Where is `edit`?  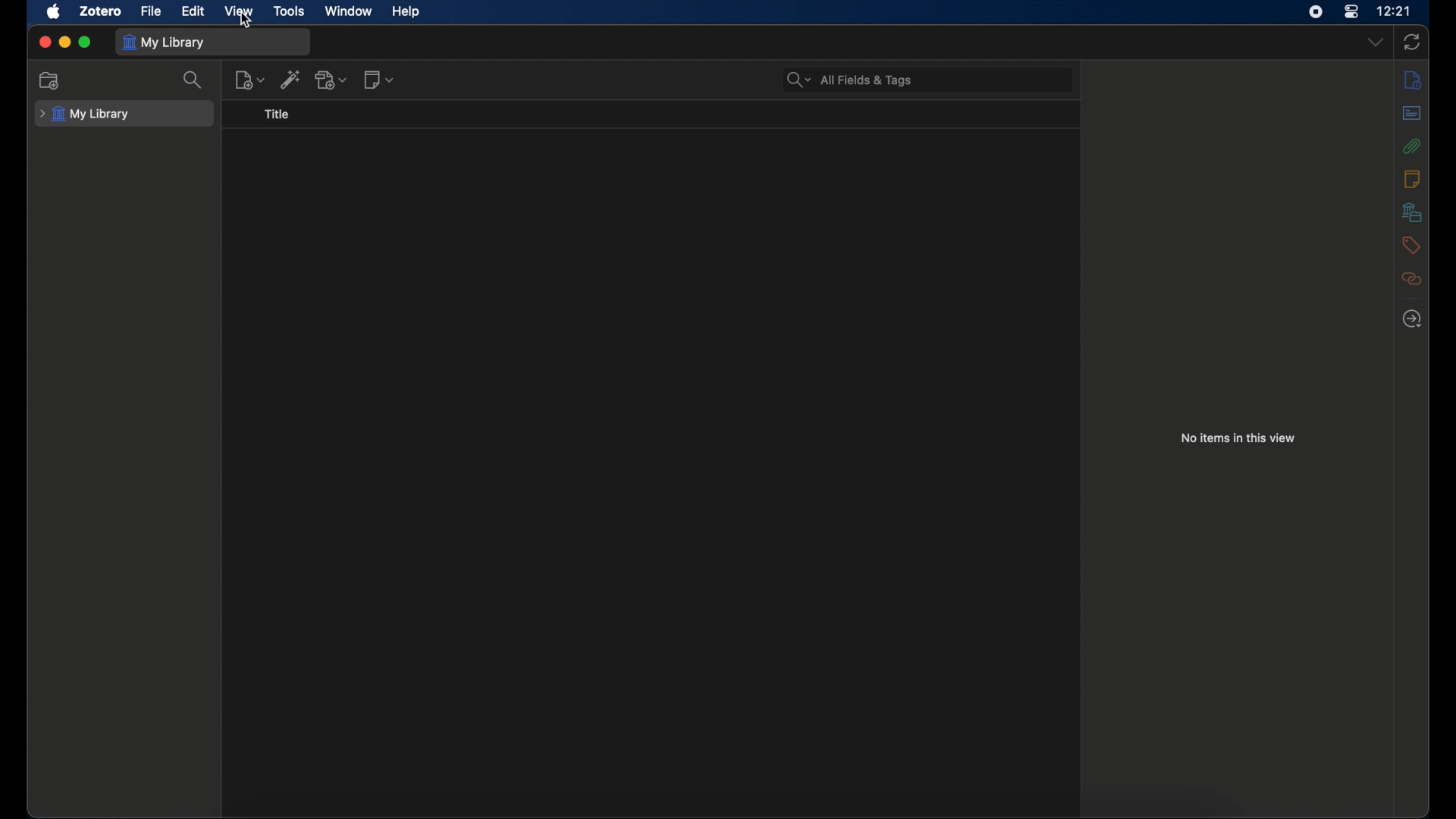 edit is located at coordinates (193, 11).